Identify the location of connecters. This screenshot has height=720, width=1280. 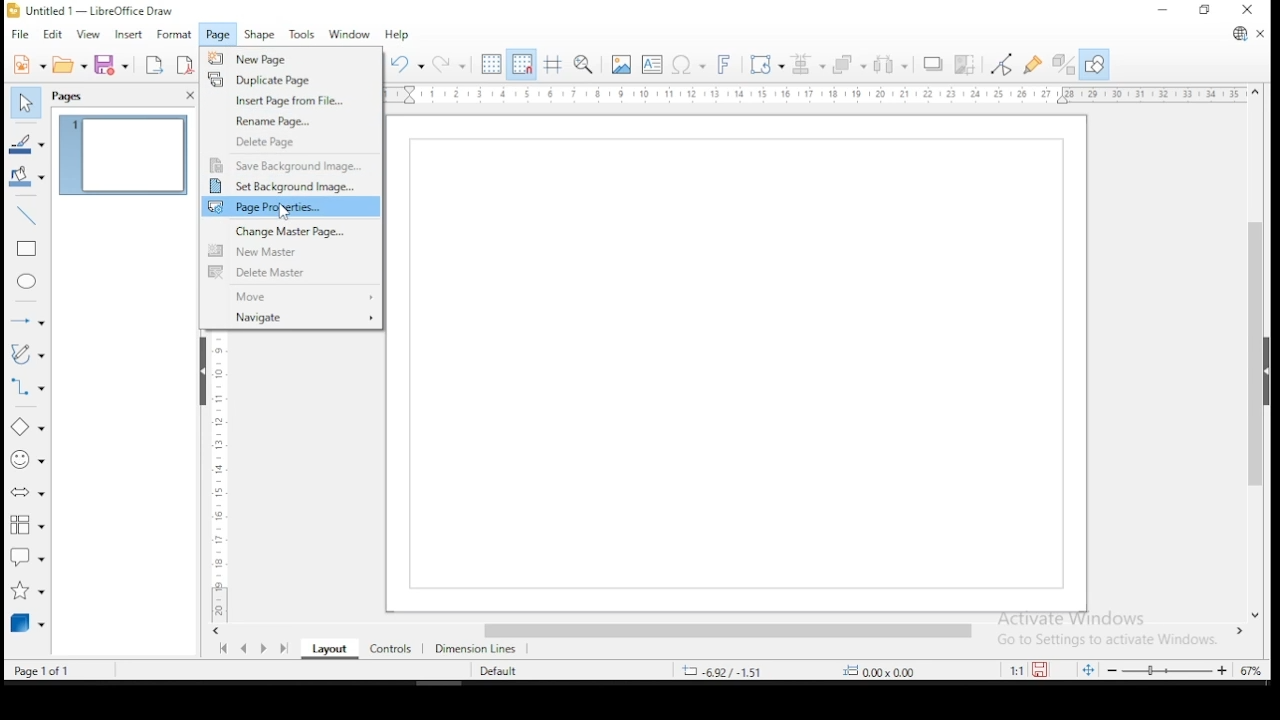
(26, 389).